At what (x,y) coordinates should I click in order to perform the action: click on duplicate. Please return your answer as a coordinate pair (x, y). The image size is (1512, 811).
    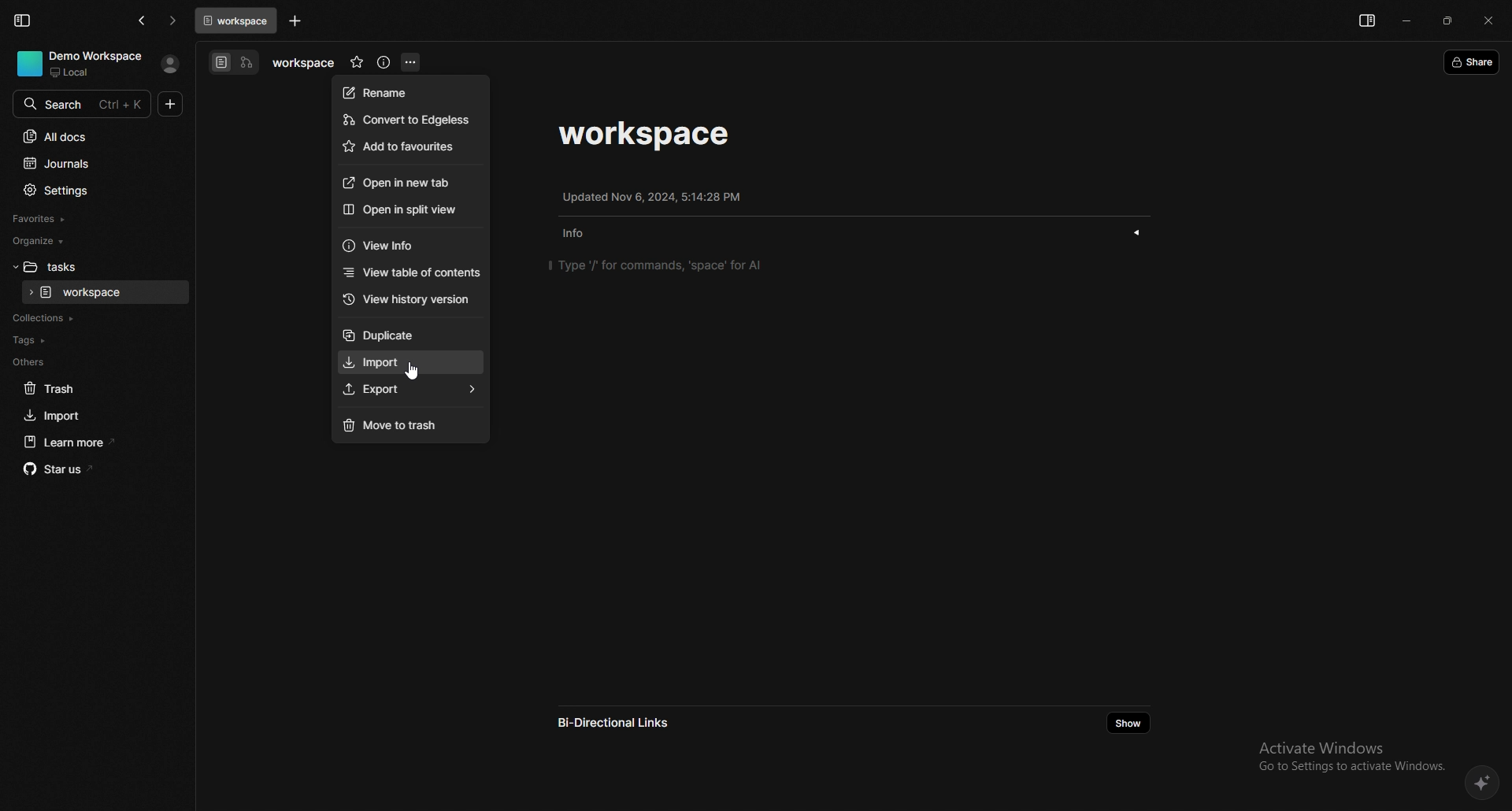
    Looking at the image, I should click on (412, 335).